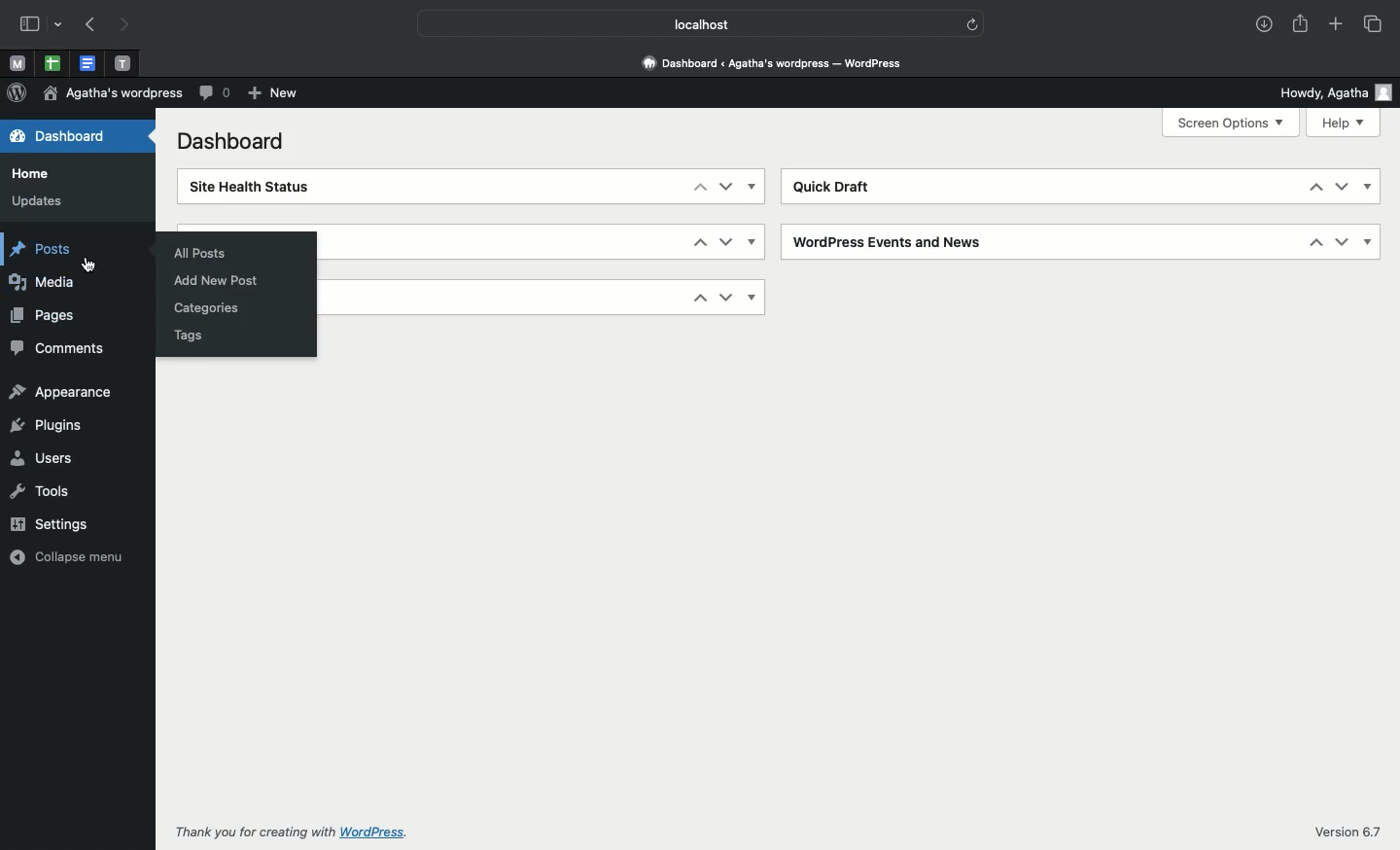 The image size is (1400, 850). Describe the element at coordinates (52, 427) in the screenshot. I see `Plugins` at that location.